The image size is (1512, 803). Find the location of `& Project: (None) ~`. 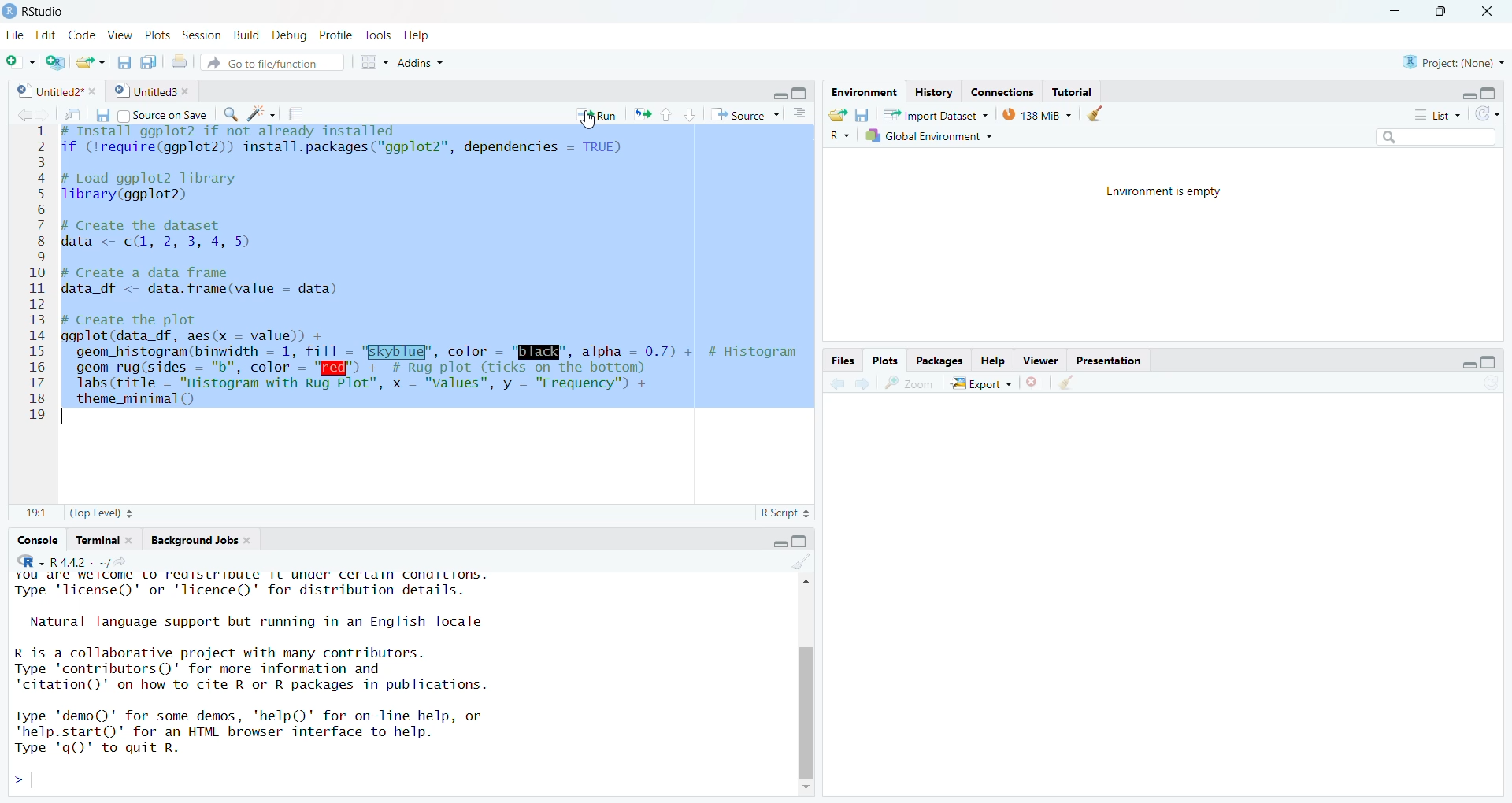

& Project: (None) ~ is located at coordinates (1451, 58).